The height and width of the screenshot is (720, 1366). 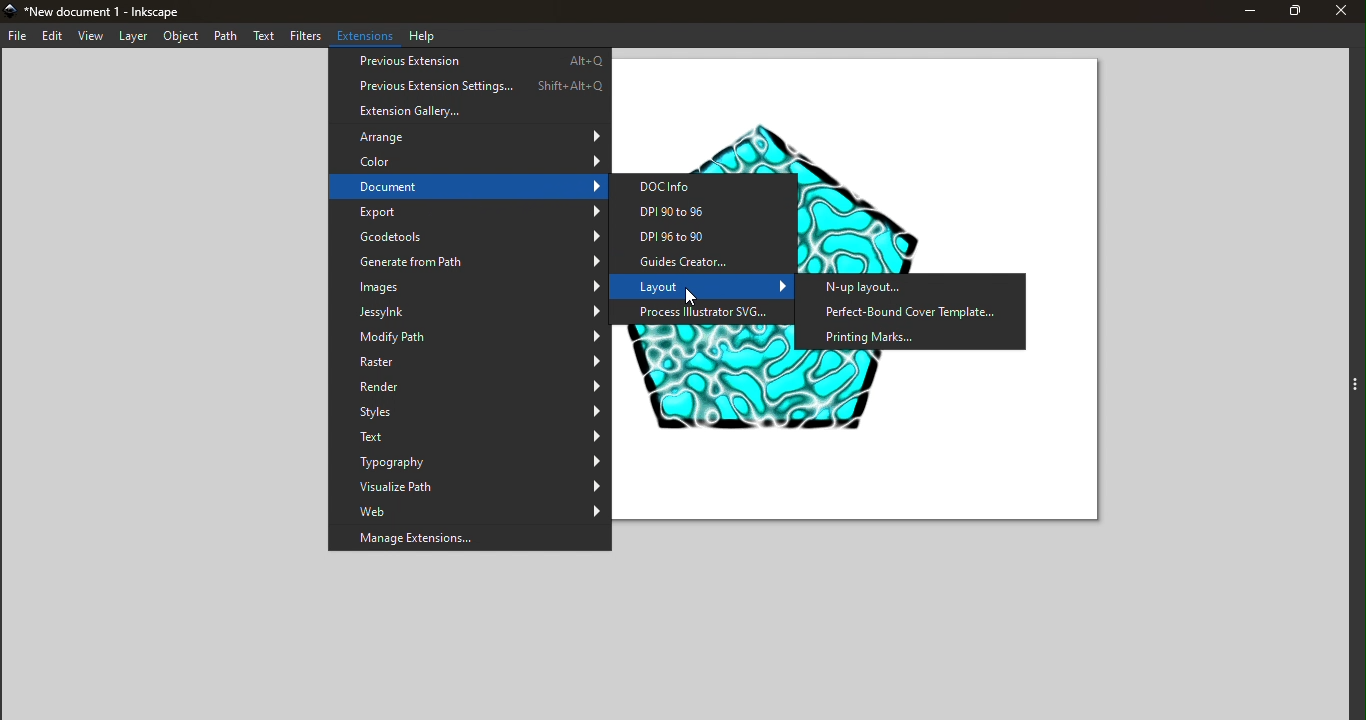 I want to click on Styles, so click(x=470, y=410).